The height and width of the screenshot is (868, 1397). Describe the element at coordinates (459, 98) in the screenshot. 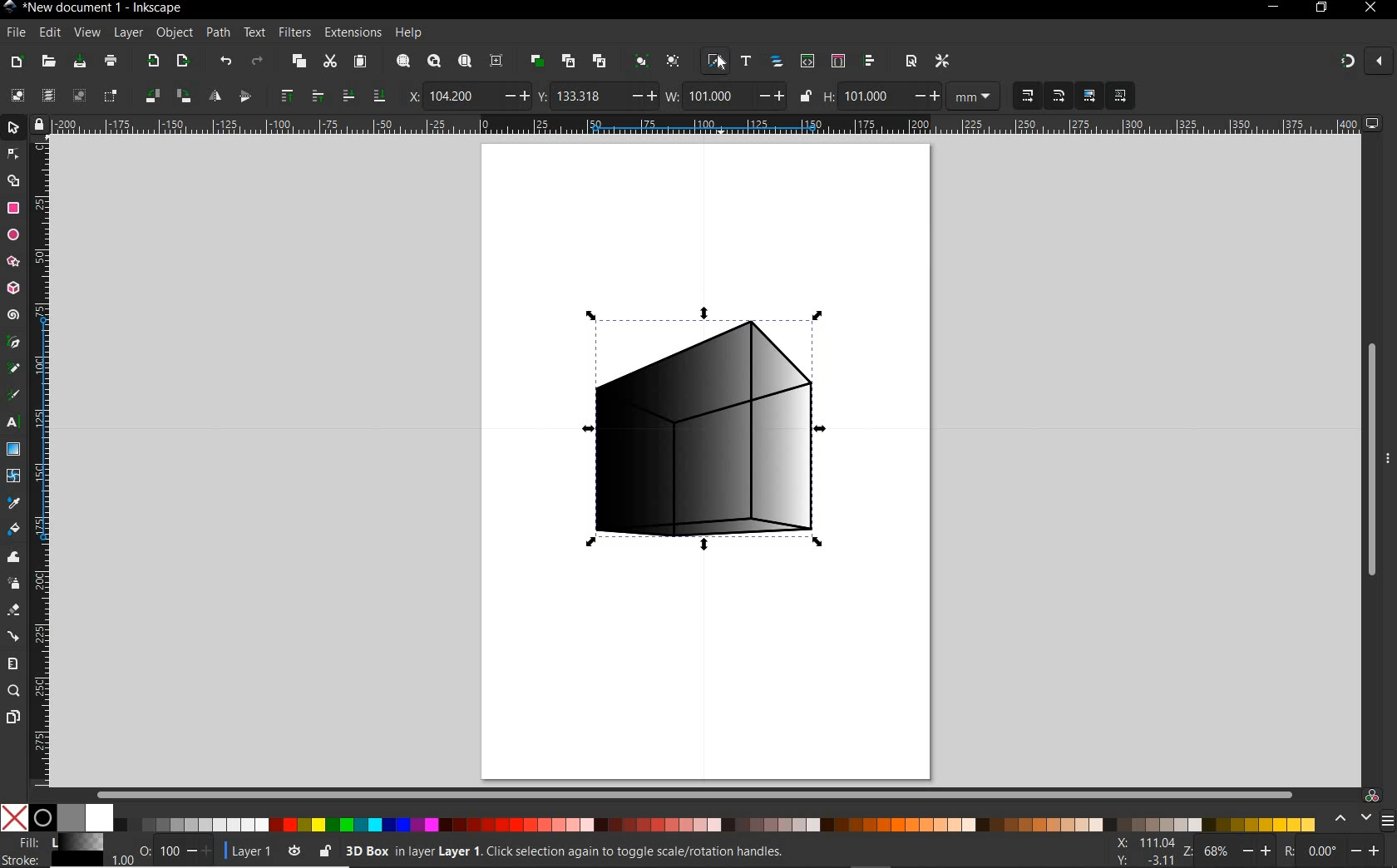

I see `104` at that location.